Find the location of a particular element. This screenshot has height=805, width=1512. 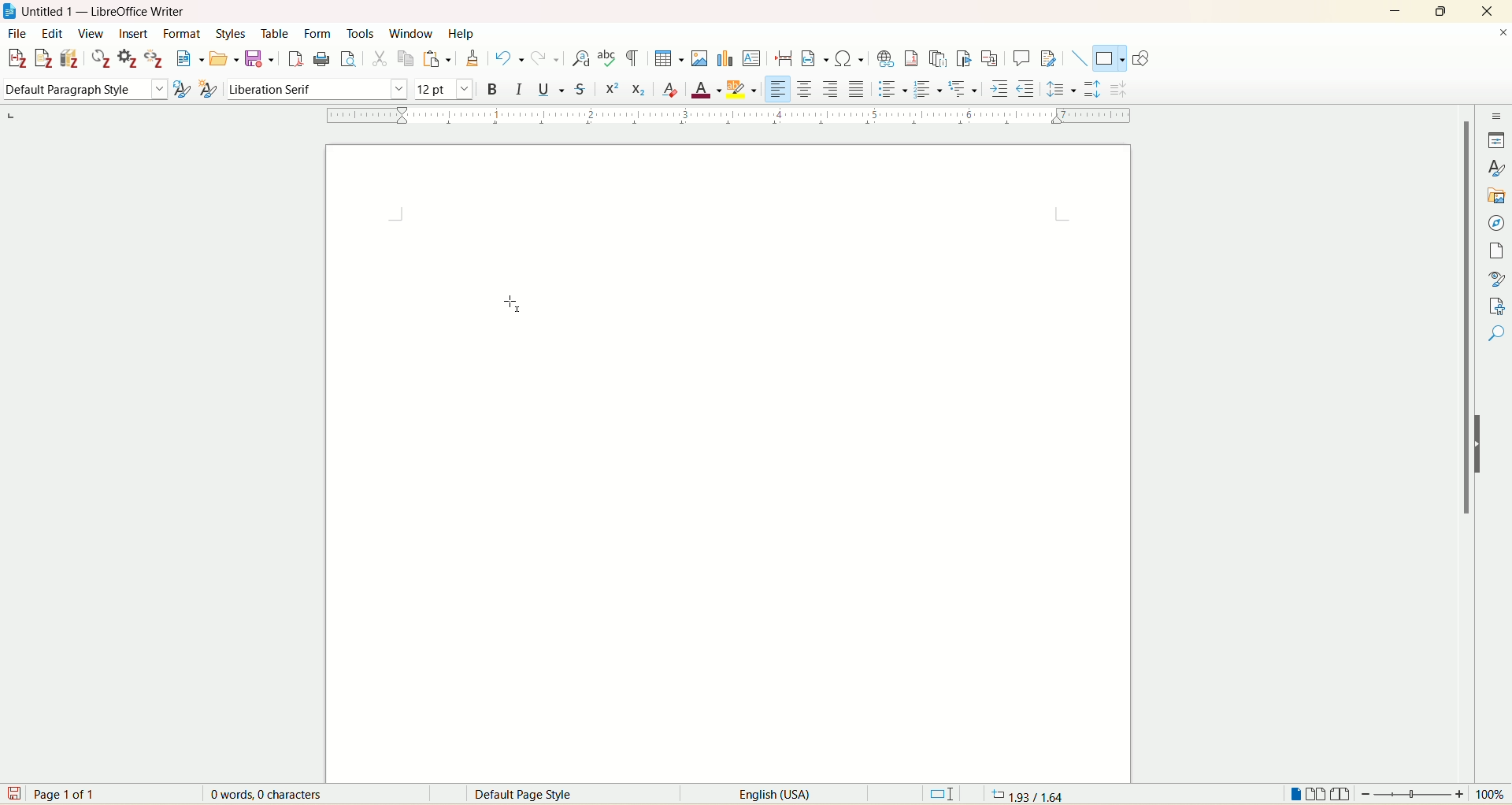

cursor is located at coordinates (503, 303).